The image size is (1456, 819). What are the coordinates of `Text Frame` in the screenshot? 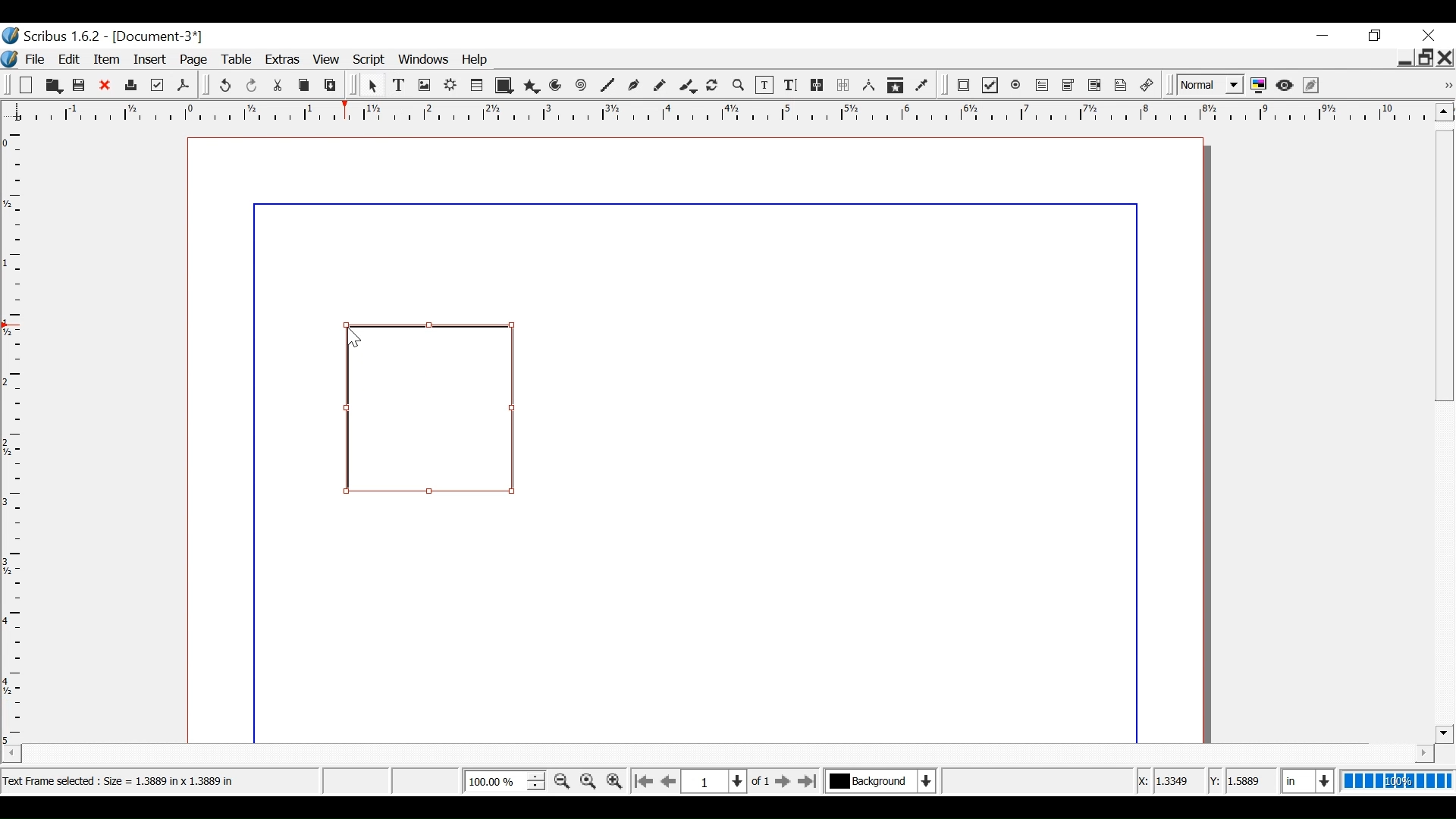 It's located at (399, 86).